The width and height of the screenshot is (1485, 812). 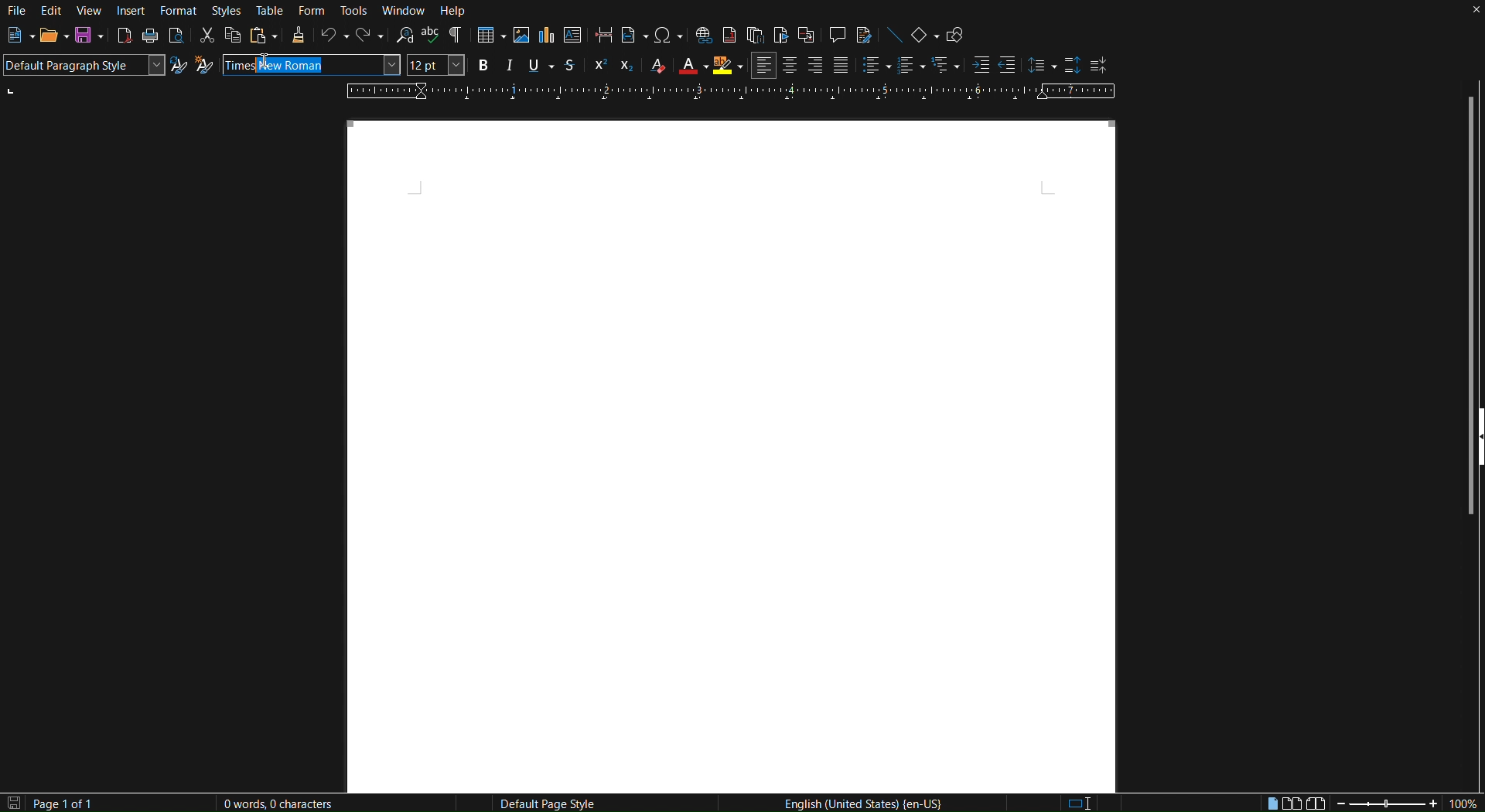 What do you see at coordinates (790, 66) in the screenshot?
I see `Centre Align` at bounding box center [790, 66].